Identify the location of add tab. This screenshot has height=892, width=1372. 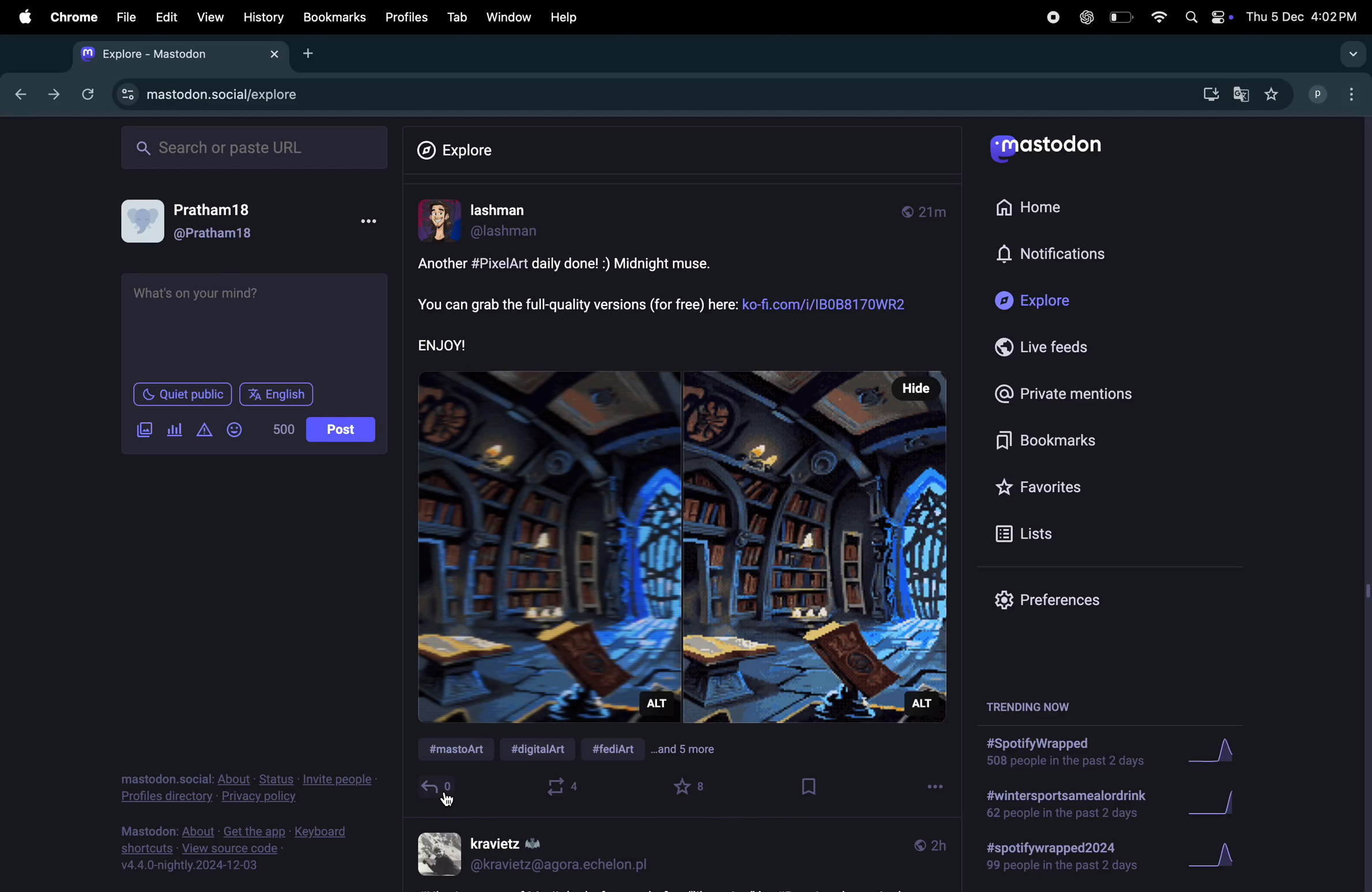
(311, 55).